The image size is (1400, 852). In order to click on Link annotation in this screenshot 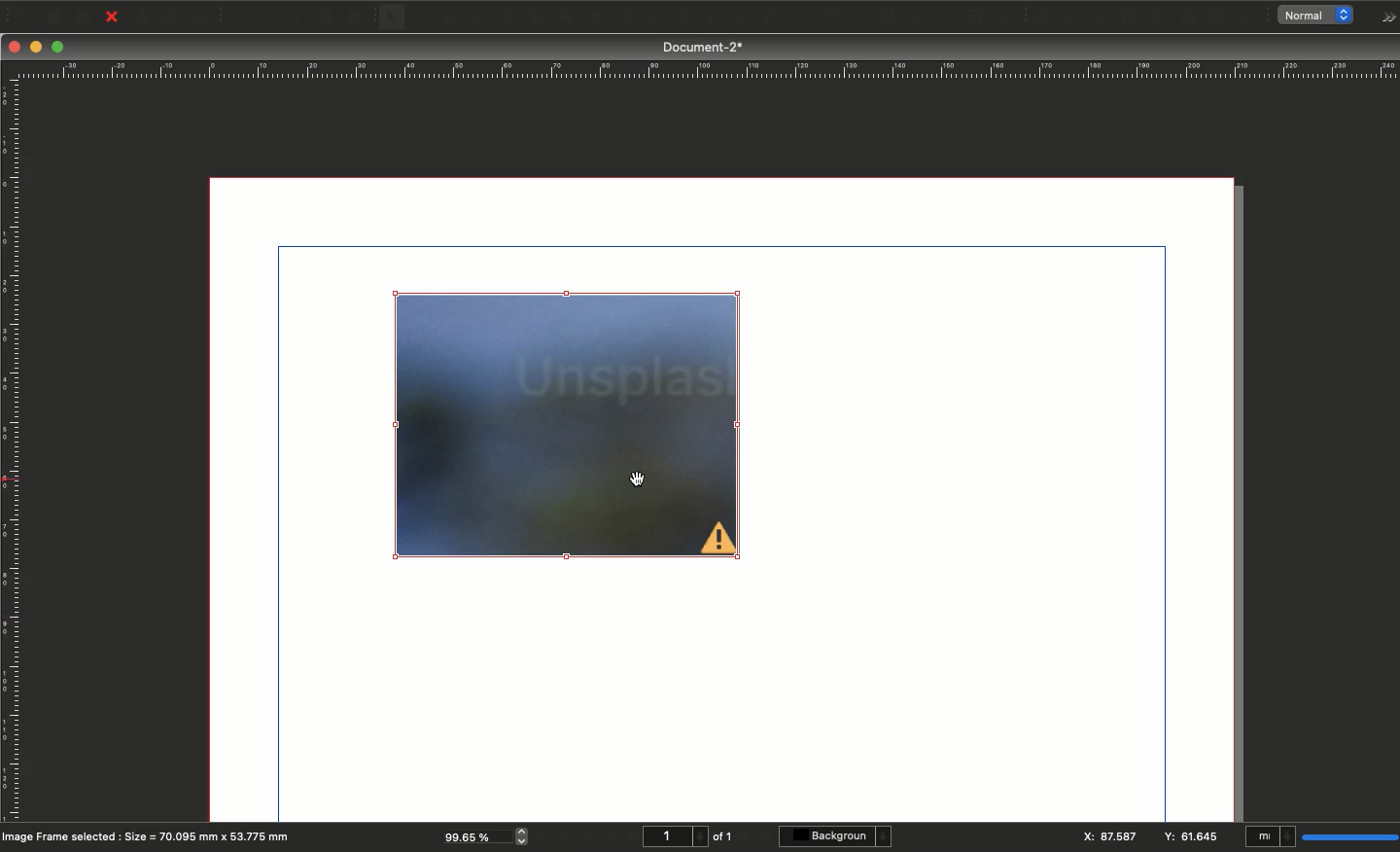, I will do `click(1250, 18)`.